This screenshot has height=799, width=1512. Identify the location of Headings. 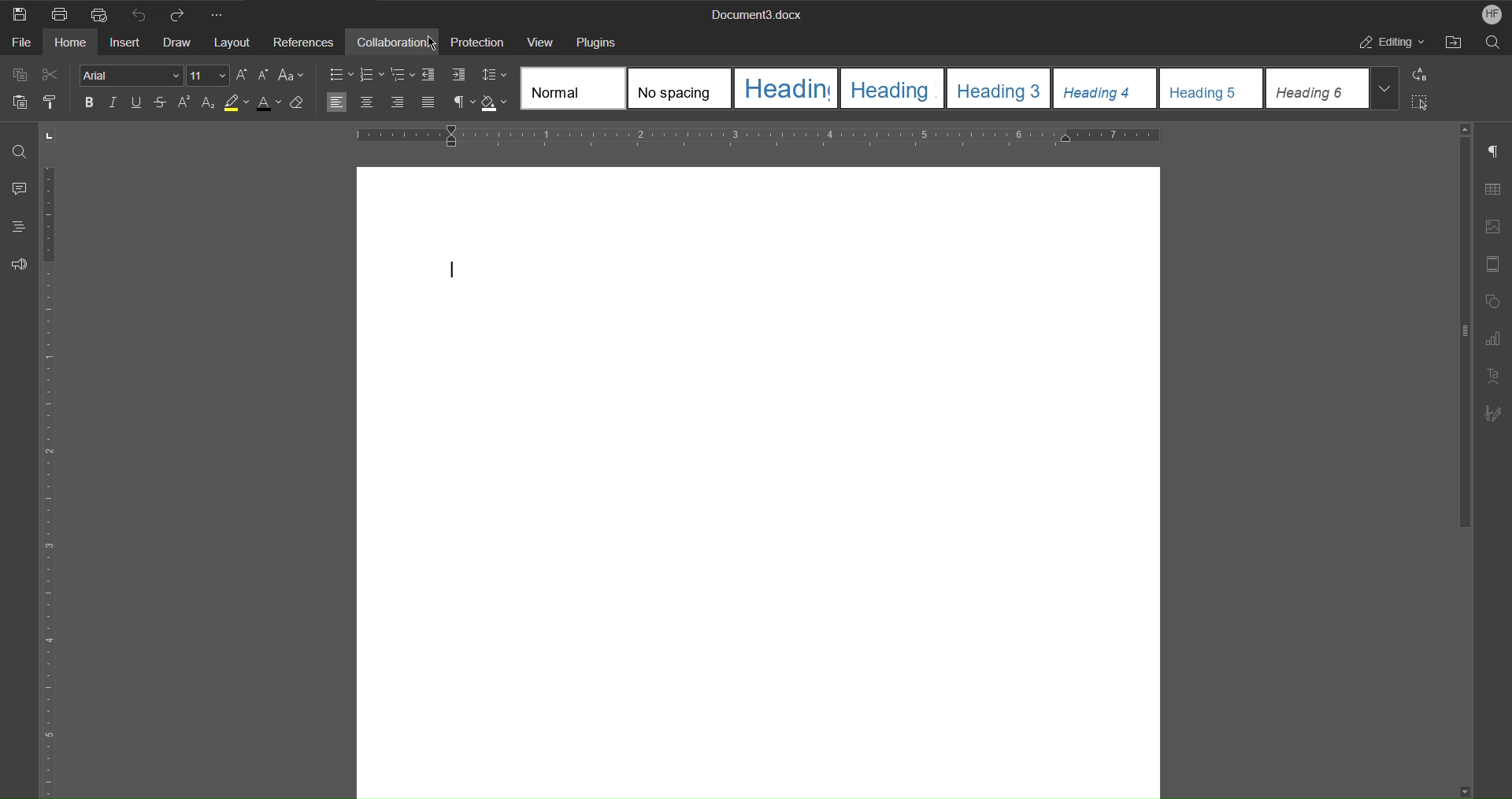
(18, 226).